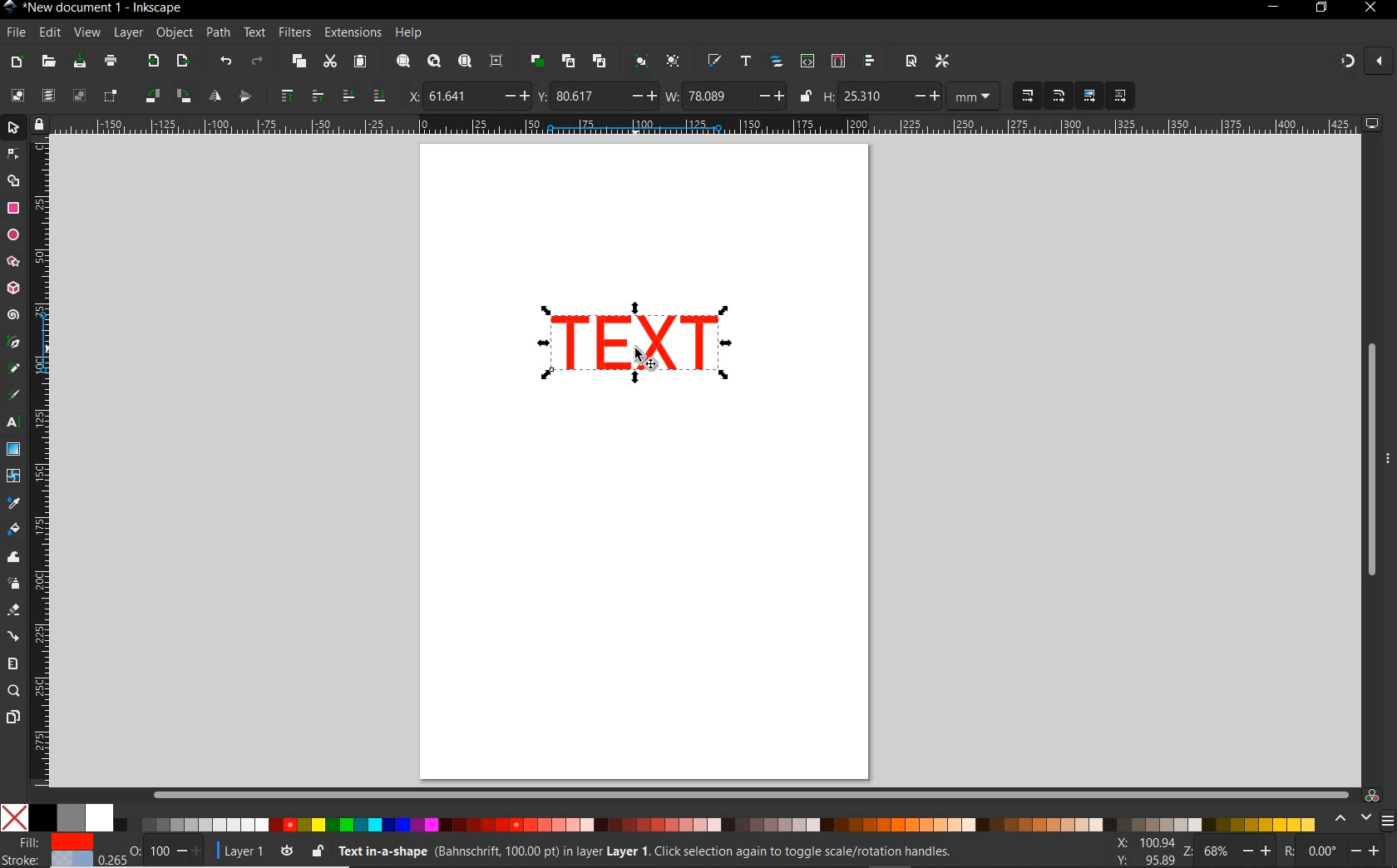  Describe the element at coordinates (12, 718) in the screenshot. I see `pages tool` at that location.